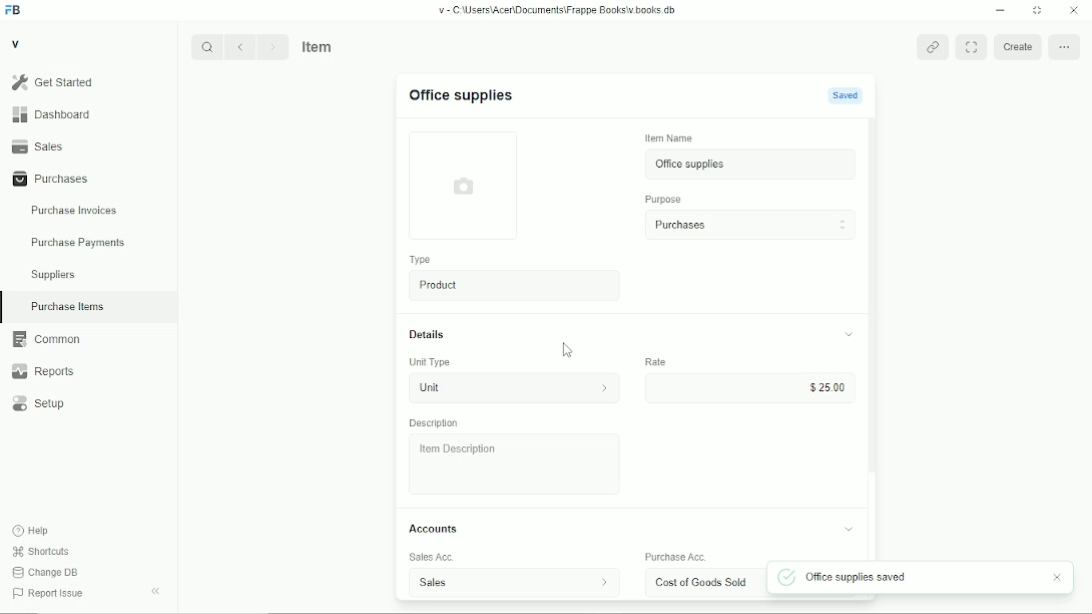  I want to click on Toggle between form and full width, so click(1038, 11).